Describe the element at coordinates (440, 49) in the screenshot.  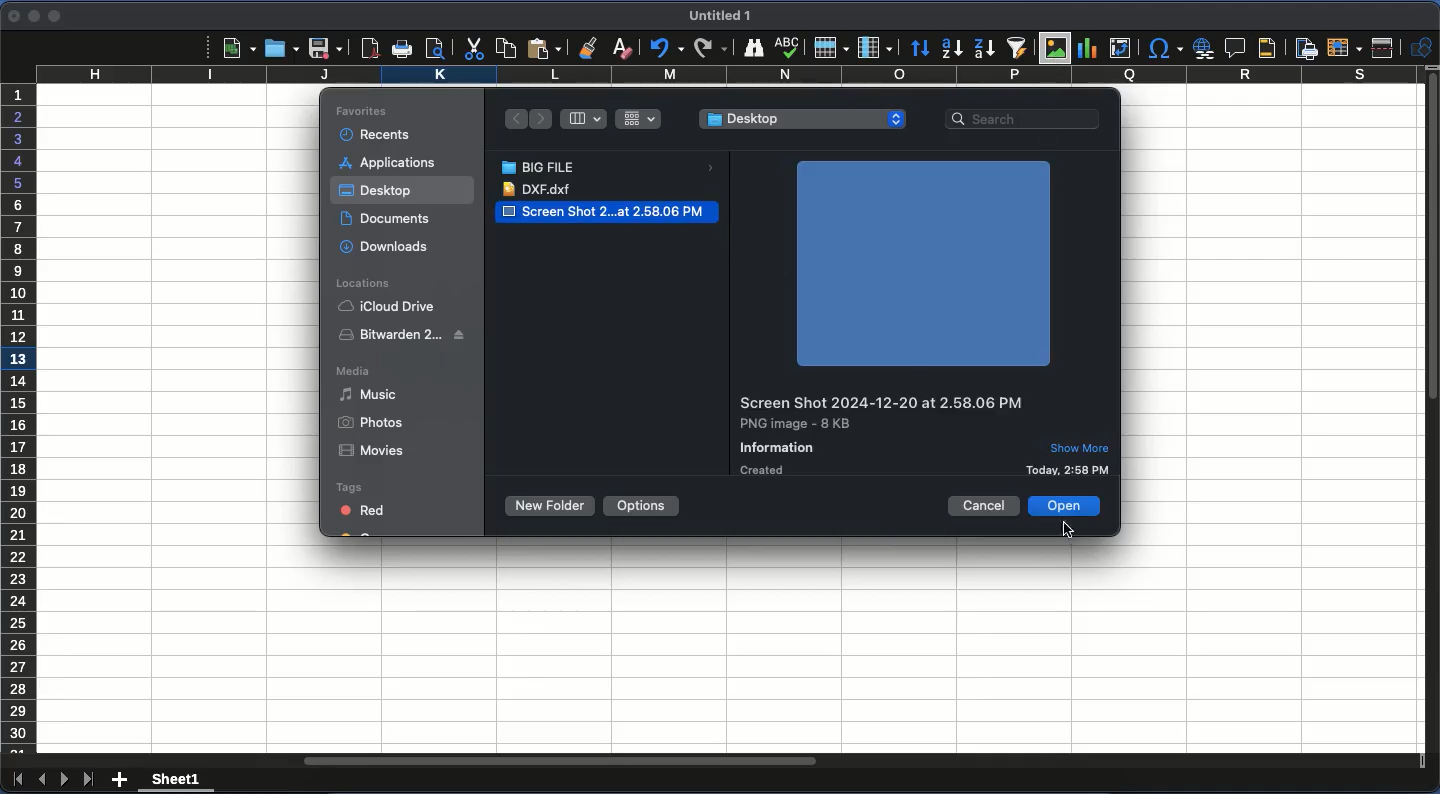
I see `print preview ` at that location.